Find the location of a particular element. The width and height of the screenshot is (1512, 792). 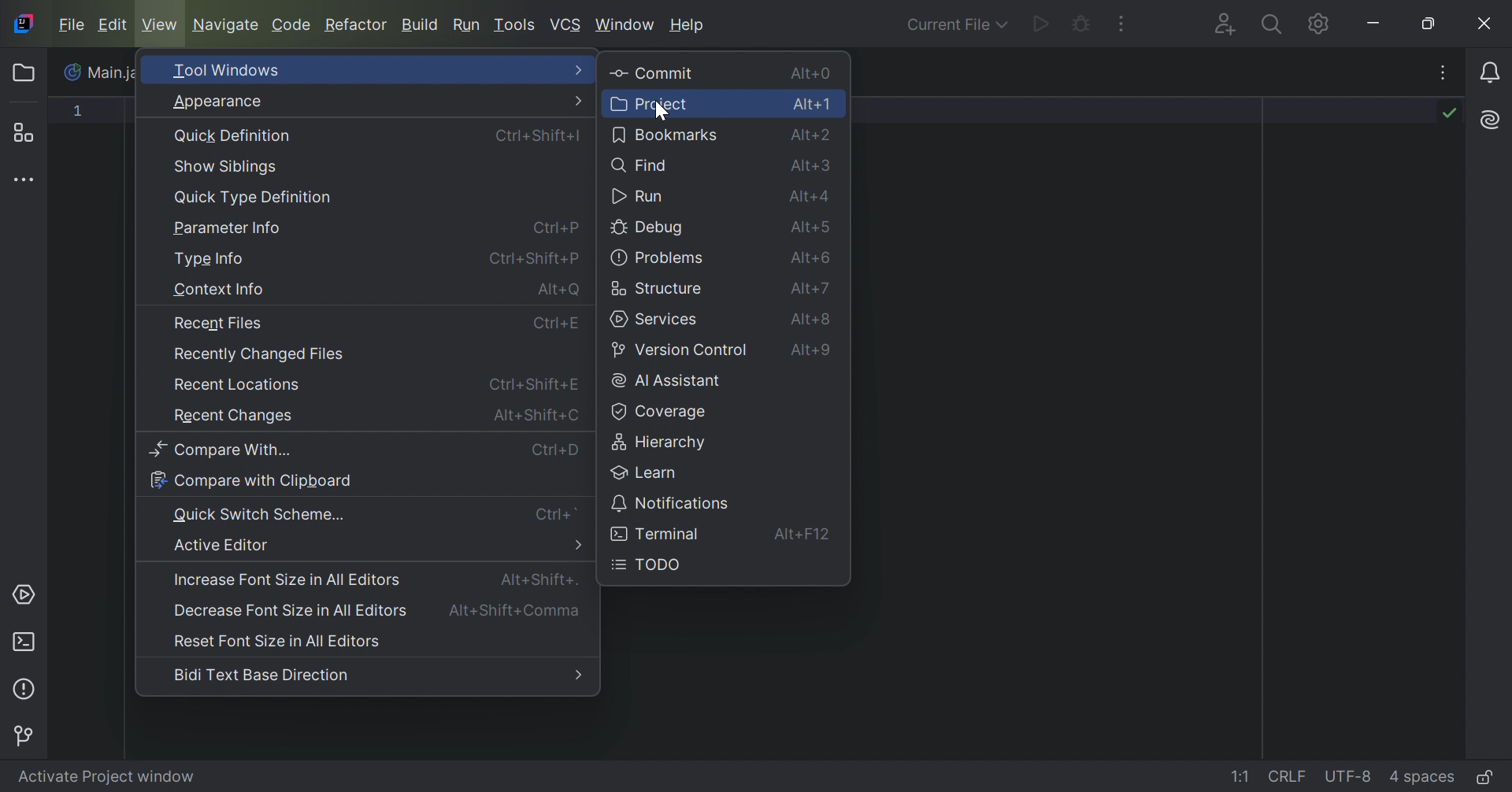

View is located at coordinates (161, 24).